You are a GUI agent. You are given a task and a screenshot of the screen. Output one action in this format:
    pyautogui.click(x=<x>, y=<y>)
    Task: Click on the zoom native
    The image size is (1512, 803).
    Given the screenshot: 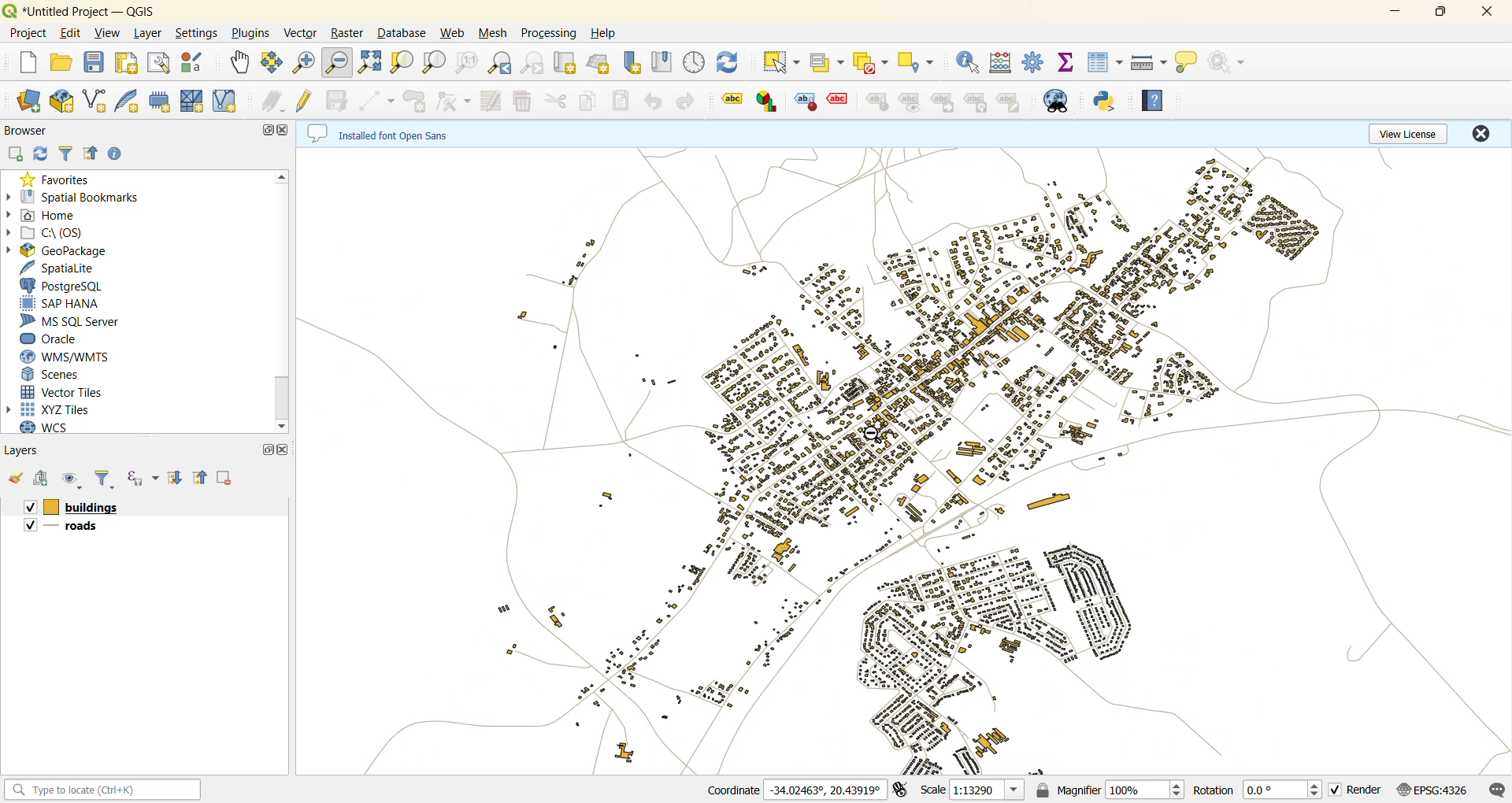 What is the action you would take?
    pyautogui.click(x=465, y=61)
    